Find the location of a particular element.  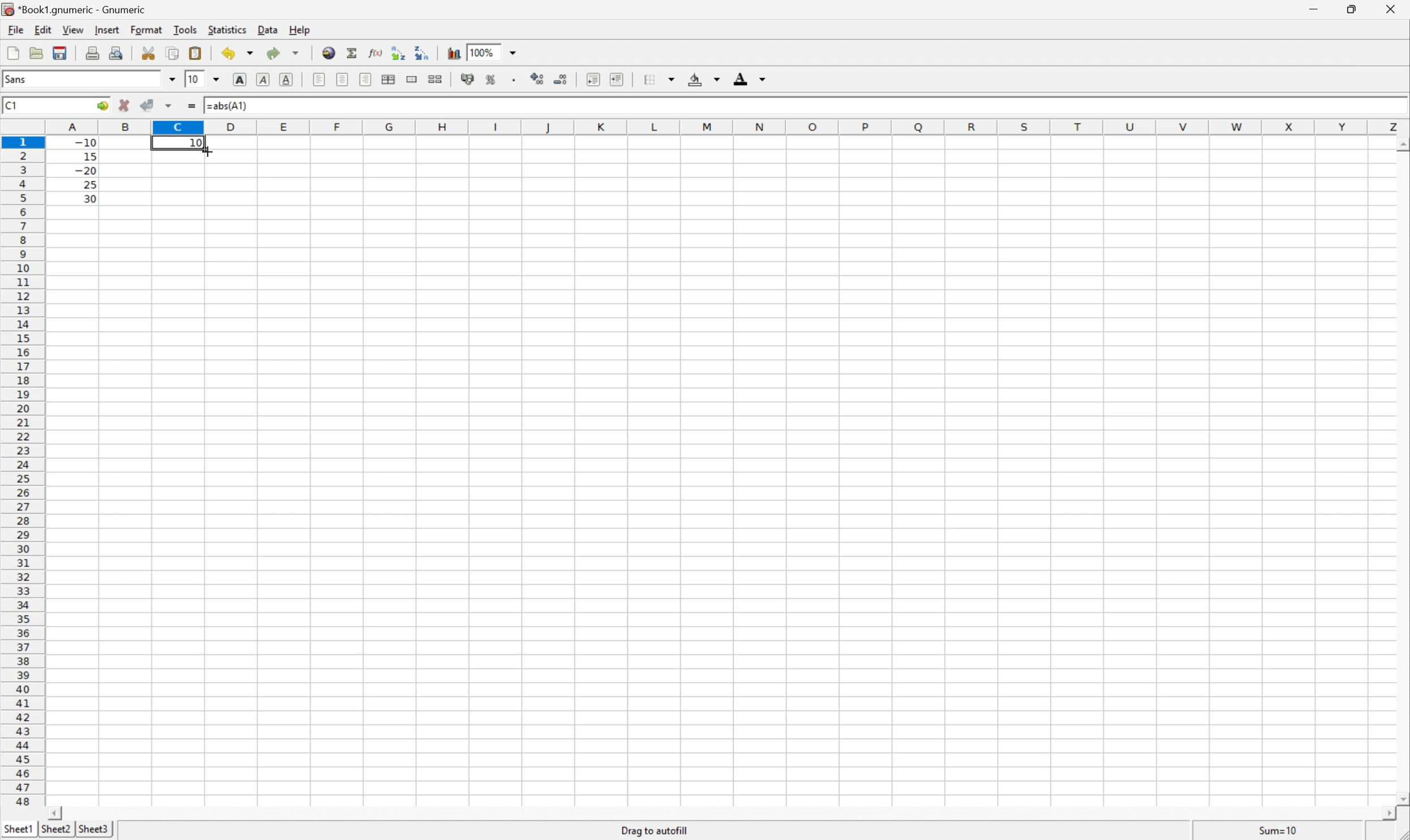

Set the format of the selected cells to include a thousands separator is located at coordinates (518, 82).